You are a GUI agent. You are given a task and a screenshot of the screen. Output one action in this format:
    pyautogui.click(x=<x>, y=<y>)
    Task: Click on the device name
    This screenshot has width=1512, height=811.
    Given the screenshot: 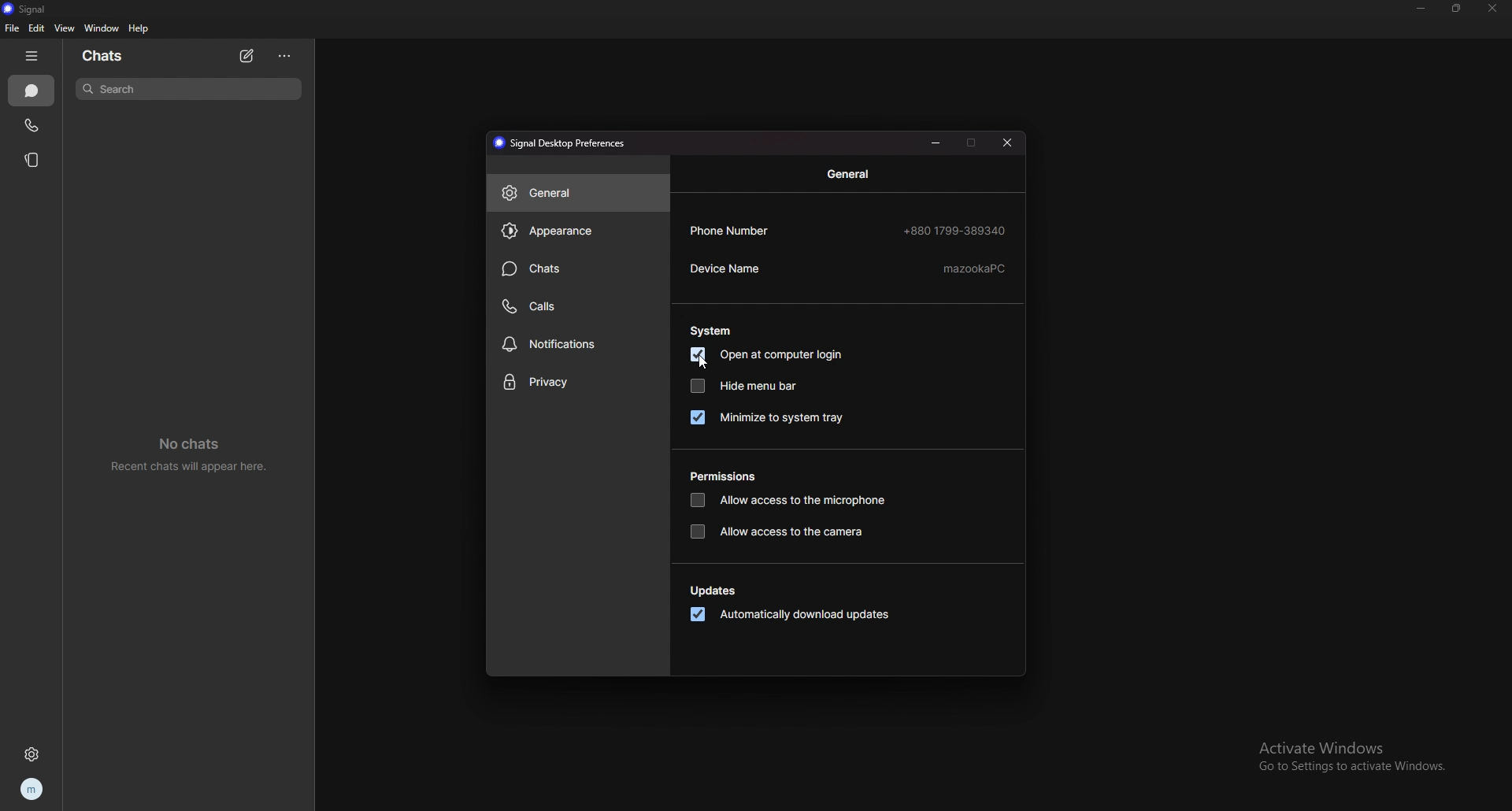 What is the action you would take?
    pyautogui.click(x=847, y=270)
    